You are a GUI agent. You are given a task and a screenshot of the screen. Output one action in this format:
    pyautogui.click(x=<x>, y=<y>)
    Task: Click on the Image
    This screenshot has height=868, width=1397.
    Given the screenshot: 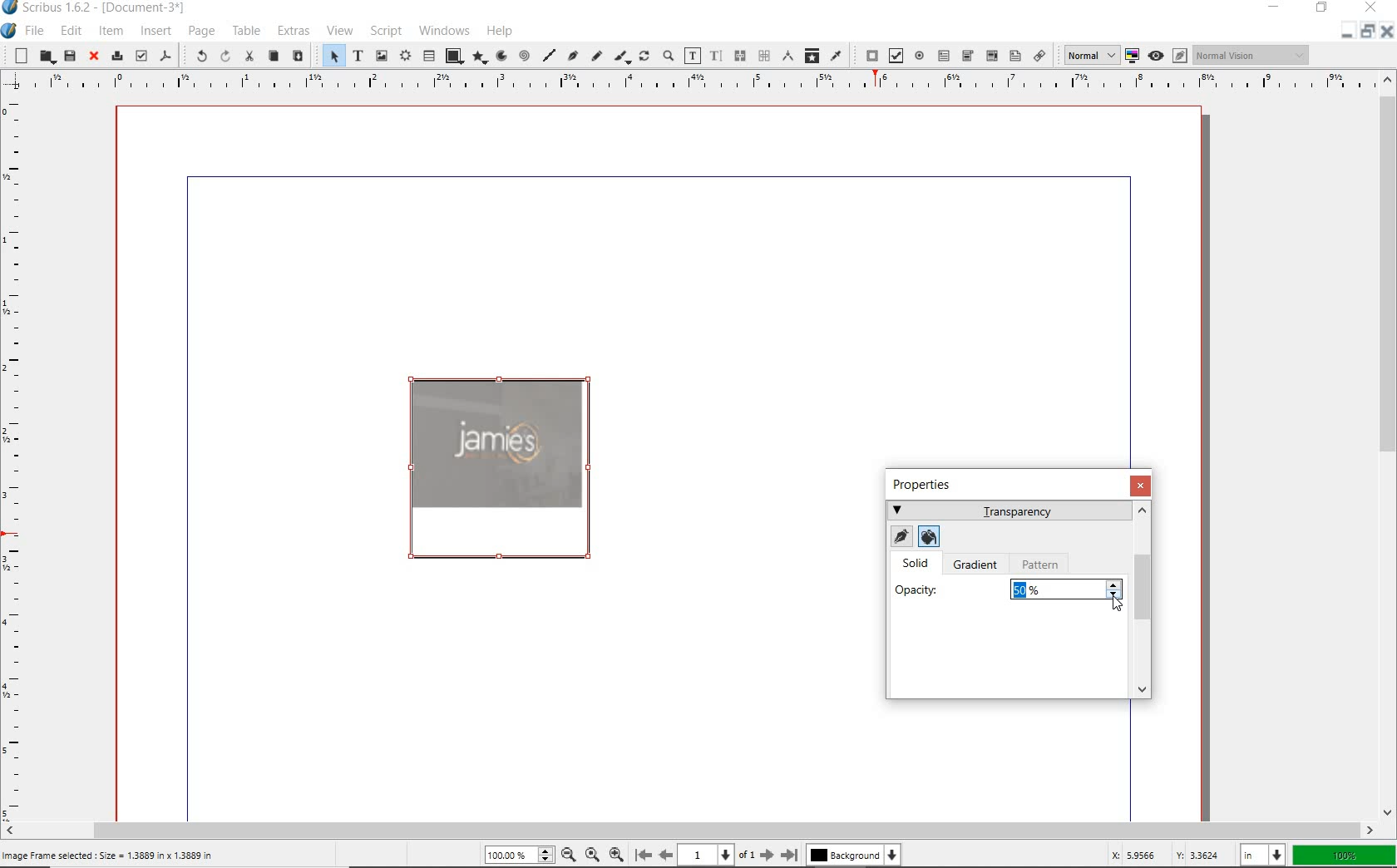 What is the action you would take?
    pyautogui.click(x=497, y=467)
    